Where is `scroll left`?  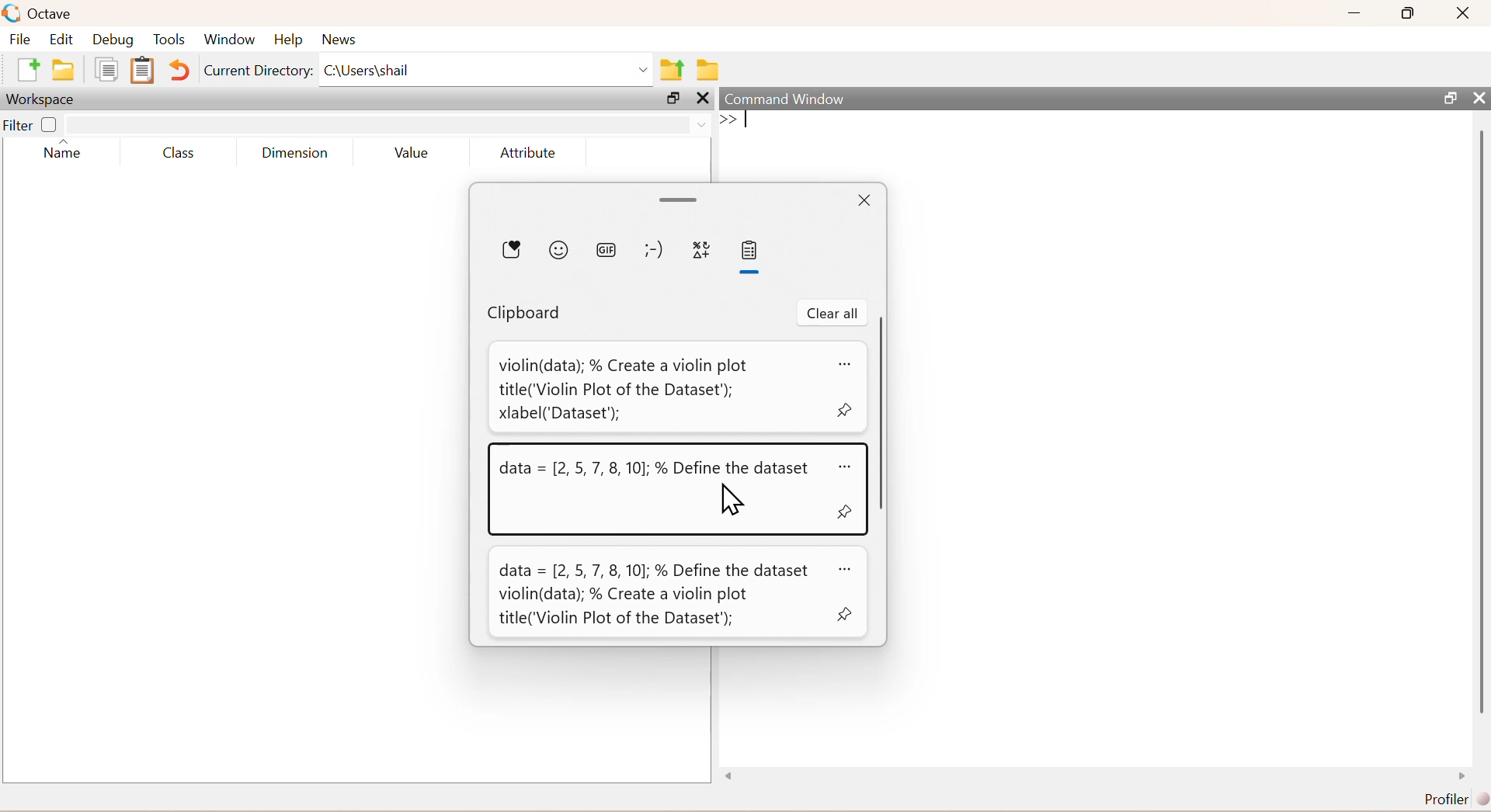
scroll left is located at coordinates (730, 776).